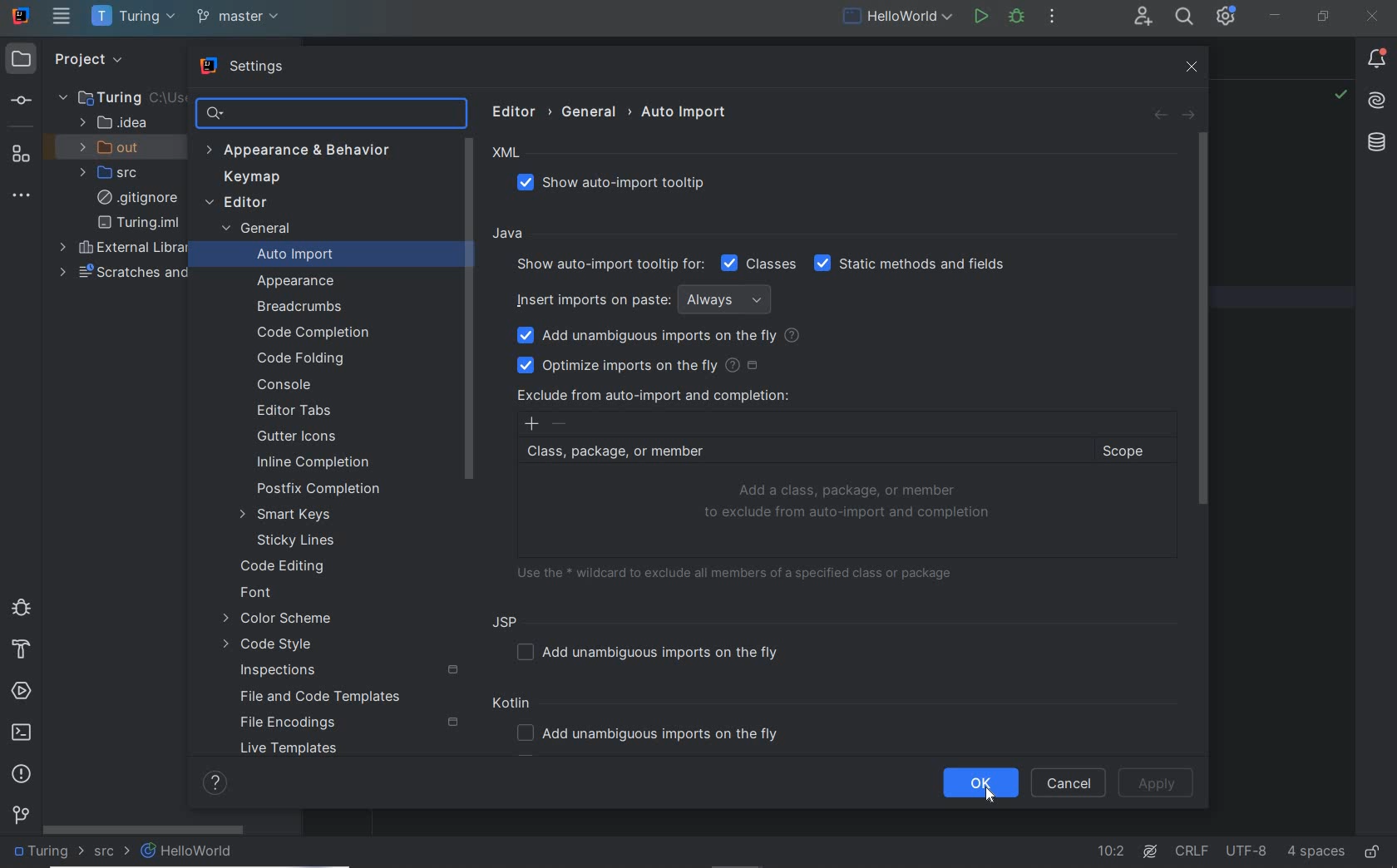  Describe the element at coordinates (23, 692) in the screenshot. I see `services` at that location.